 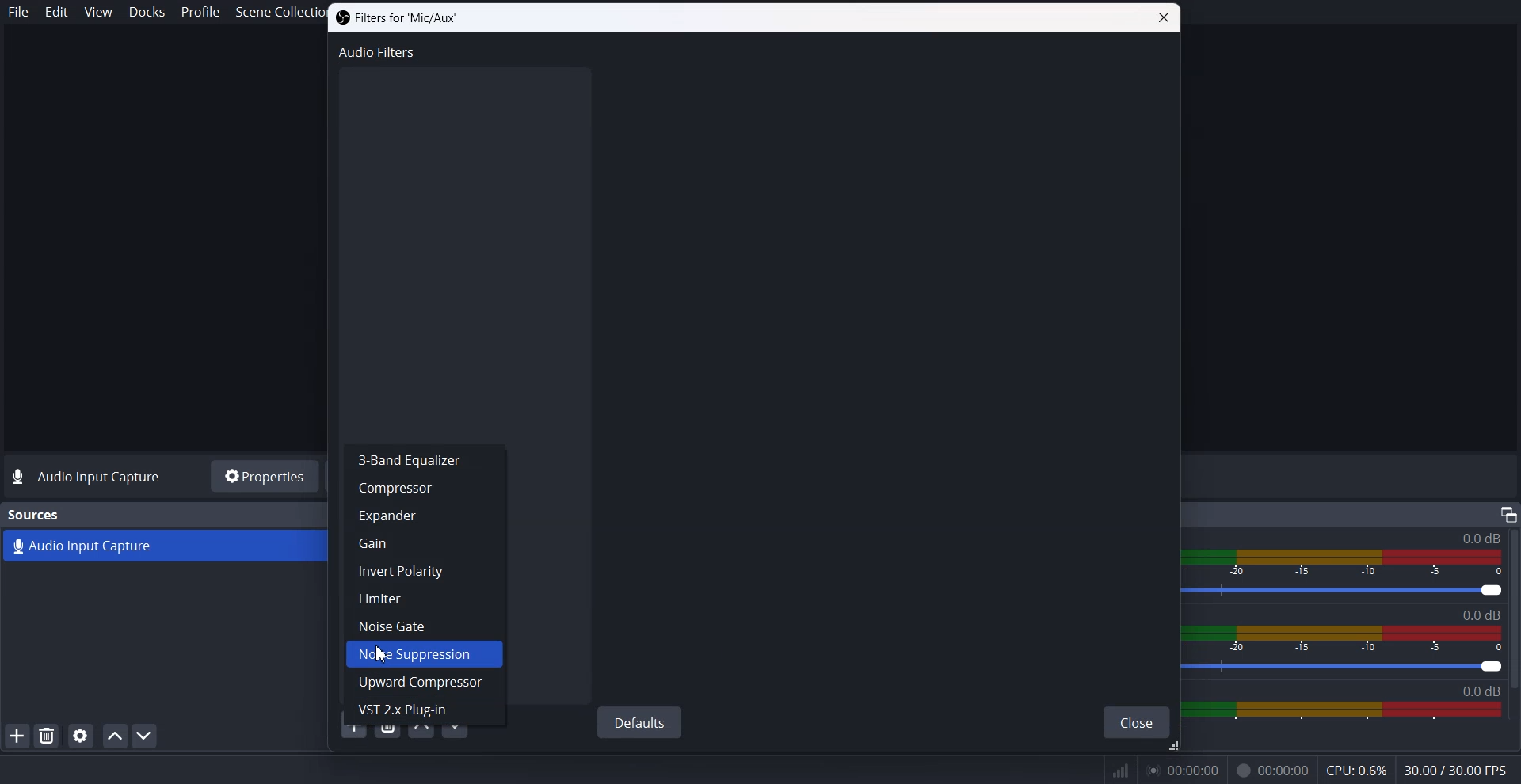 What do you see at coordinates (1351, 668) in the screenshot?
I see `Volume level adjuster` at bounding box center [1351, 668].